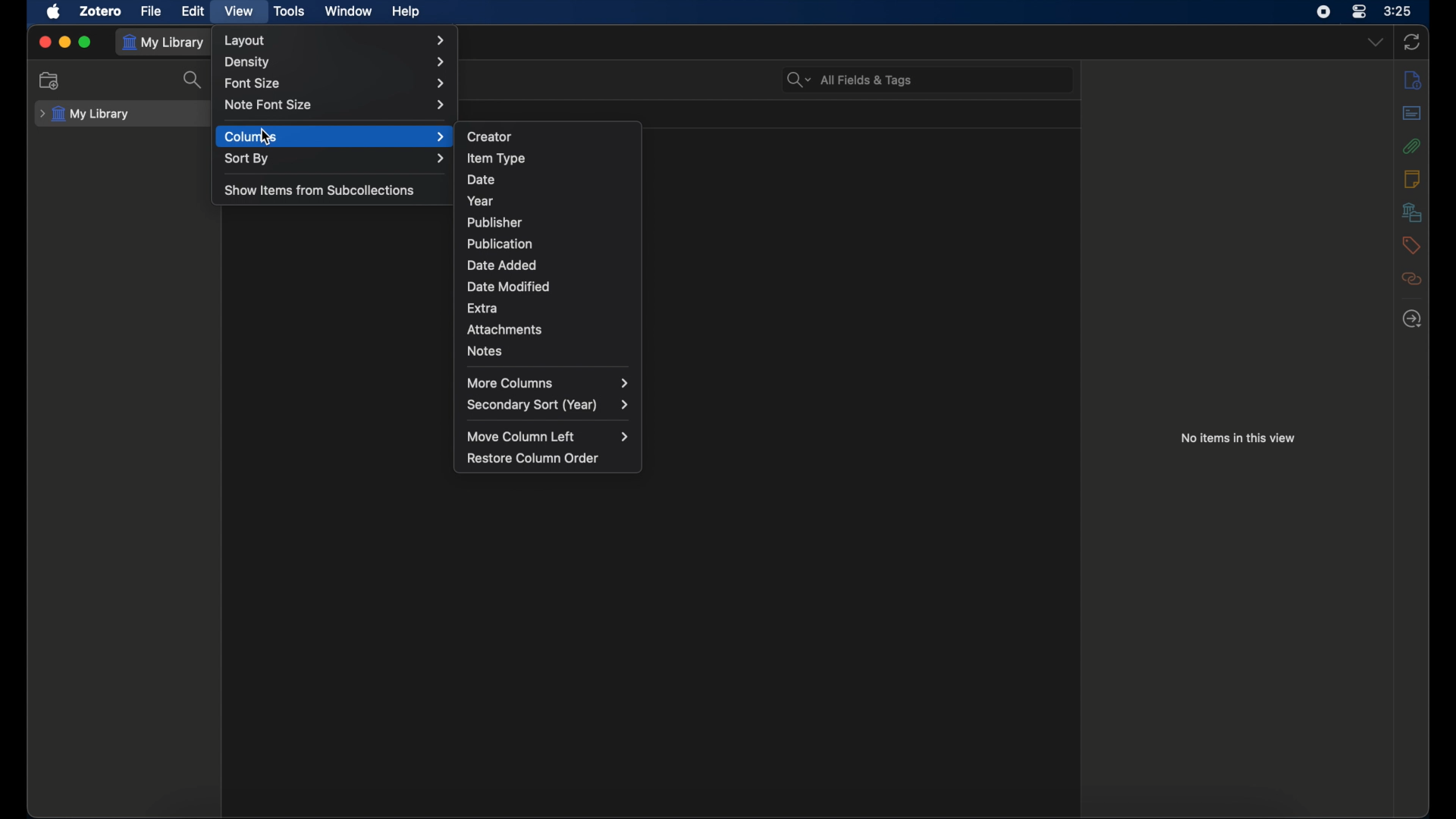 Image resolution: width=1456 pixels, height=819 pixels. Describe the element at coordinates (502, 265) in the screenshot. I see `date added` at that location.